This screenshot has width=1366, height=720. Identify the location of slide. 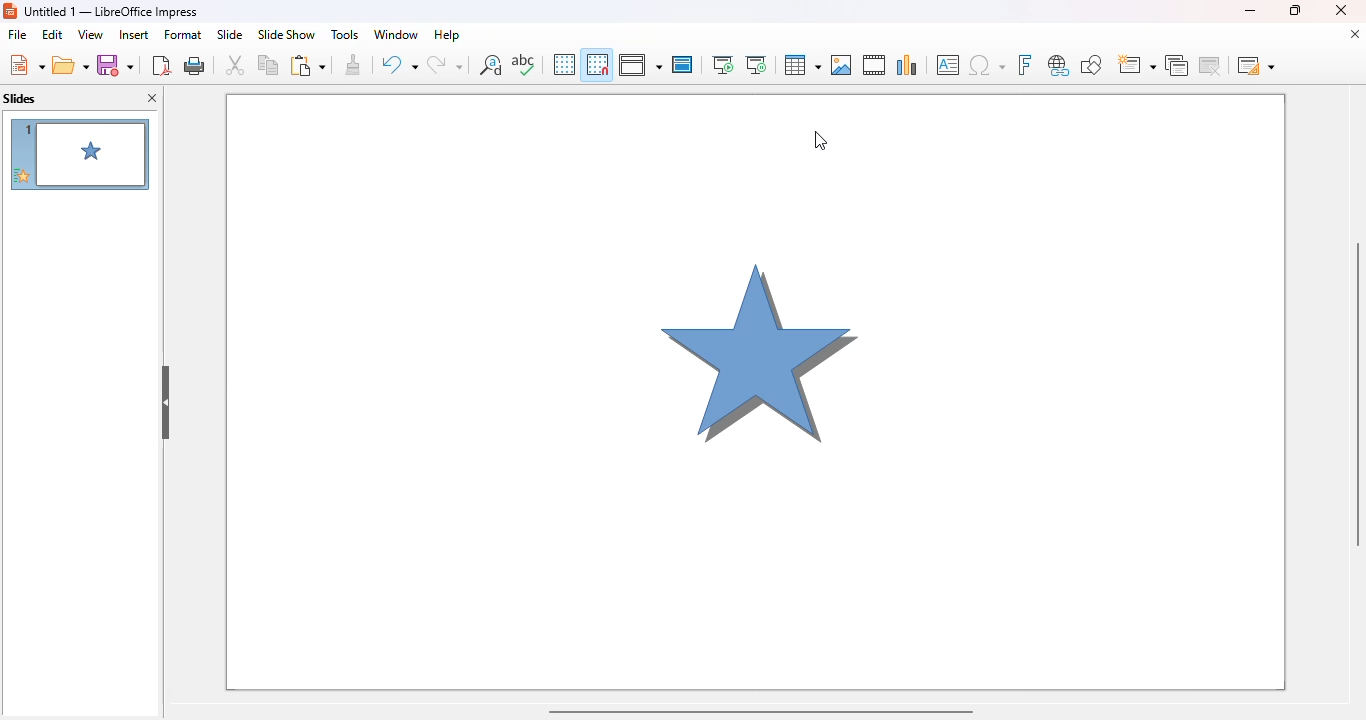
(229, 35).